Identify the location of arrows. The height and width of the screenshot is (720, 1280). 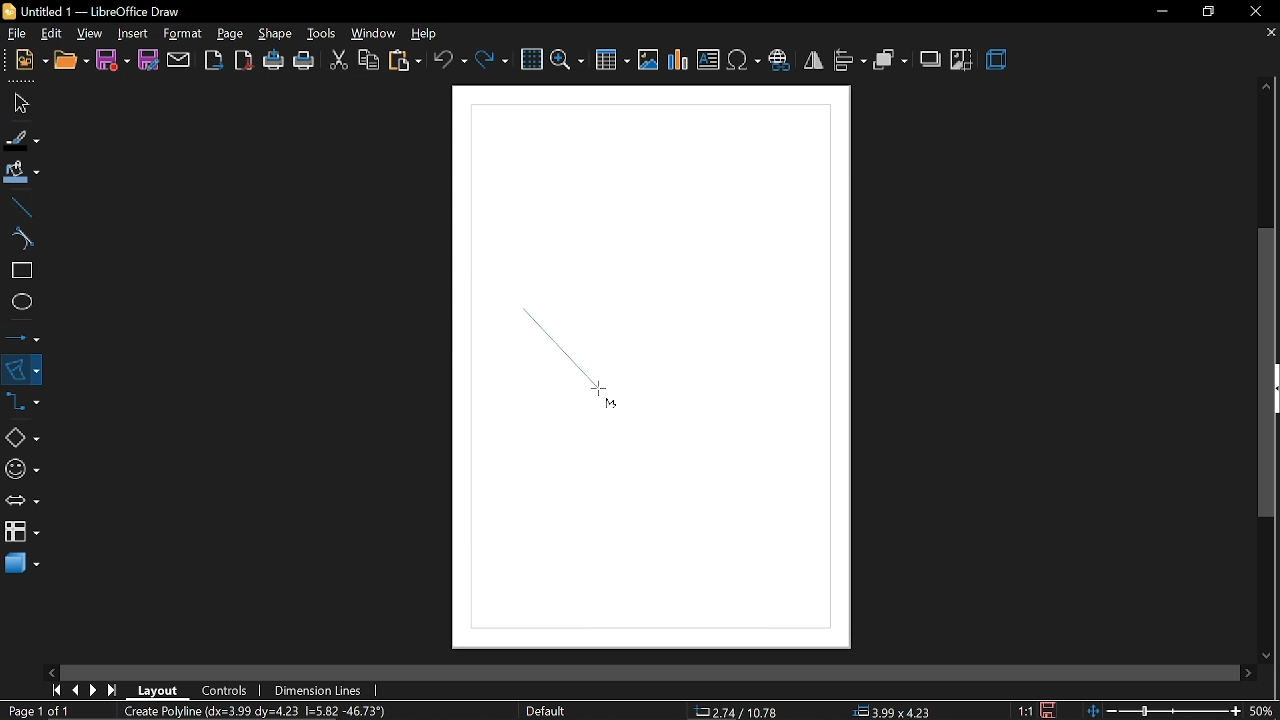
(22, 502).